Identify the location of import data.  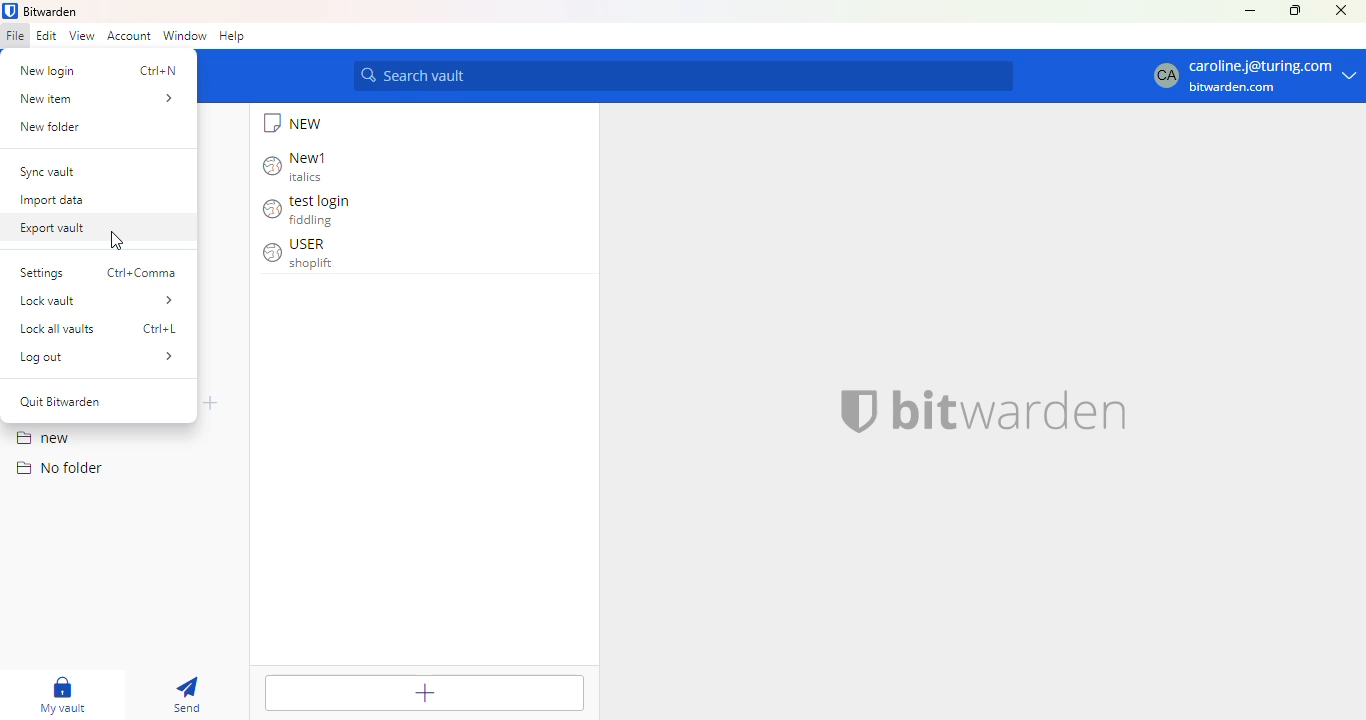
(101, 199).